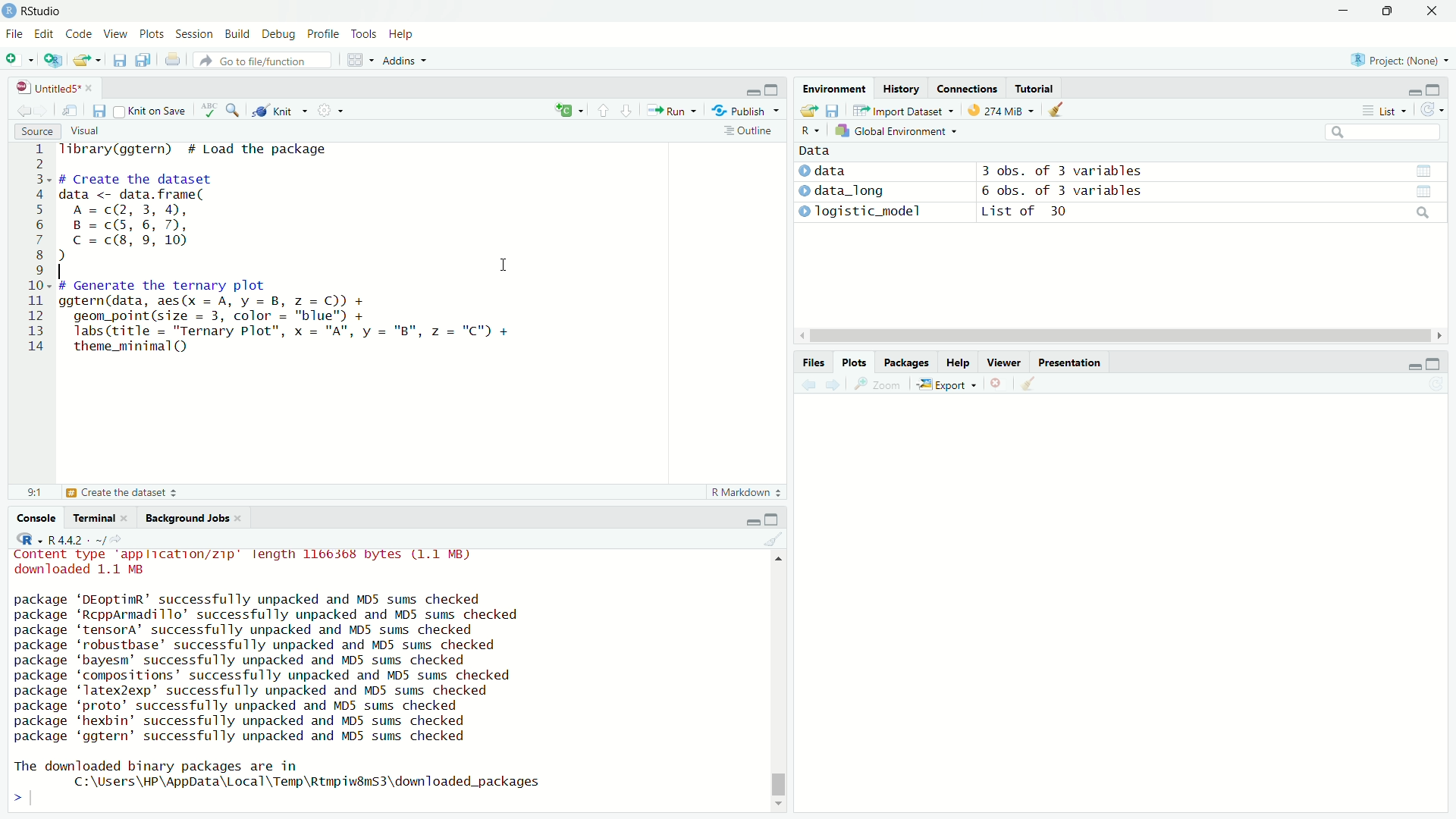 Image resolution: width=1456 pixels, height=819 pixels. I want to click on Go to file/function, so click(256, 60).